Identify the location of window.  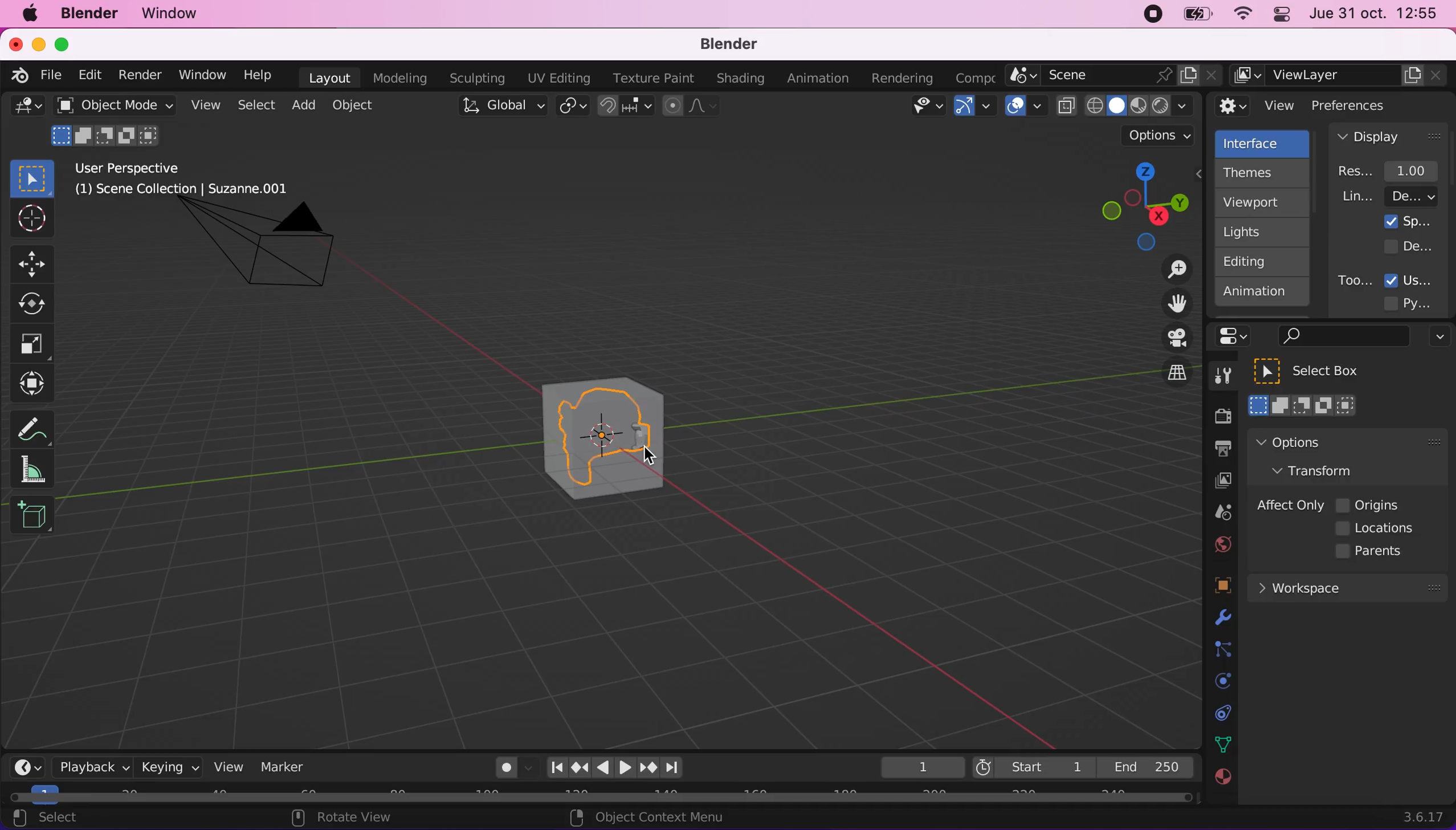
(201, 75).